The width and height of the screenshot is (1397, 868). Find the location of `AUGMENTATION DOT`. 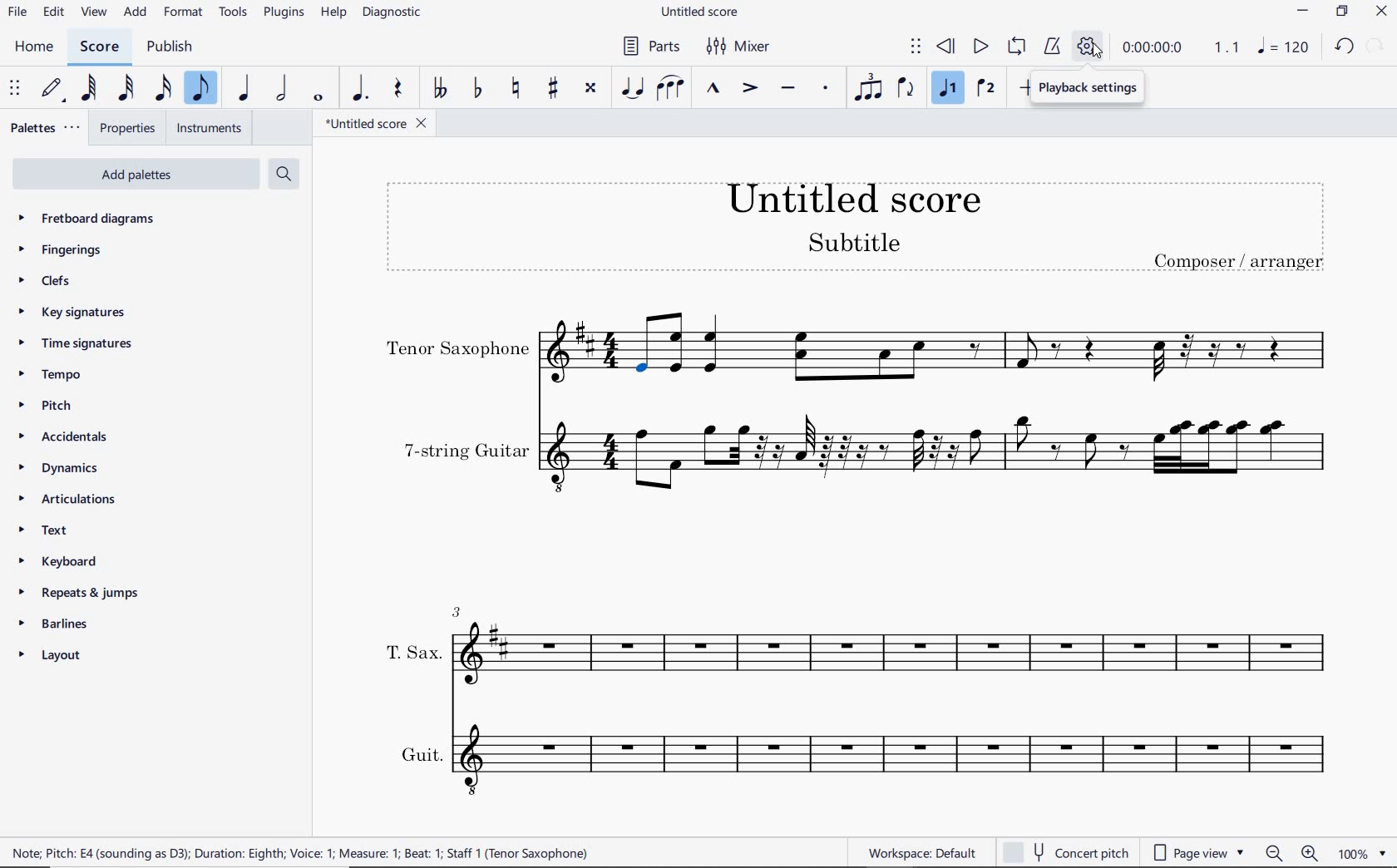

AUGMENTATION DOT is located at coordinates (361, 89).